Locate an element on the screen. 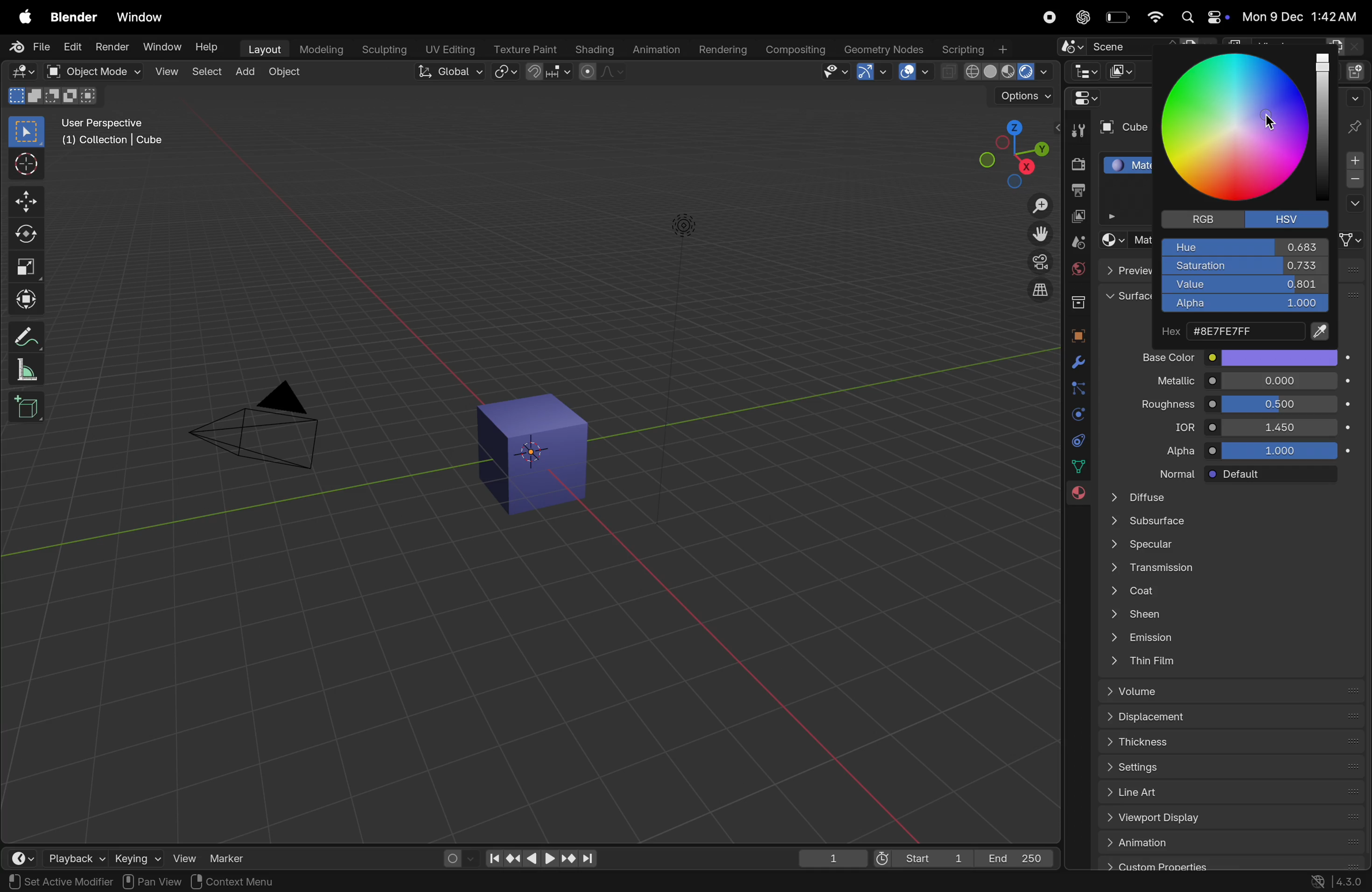 The image size is (1372, 892). zoom i  is located at coordinates (1041, 202).